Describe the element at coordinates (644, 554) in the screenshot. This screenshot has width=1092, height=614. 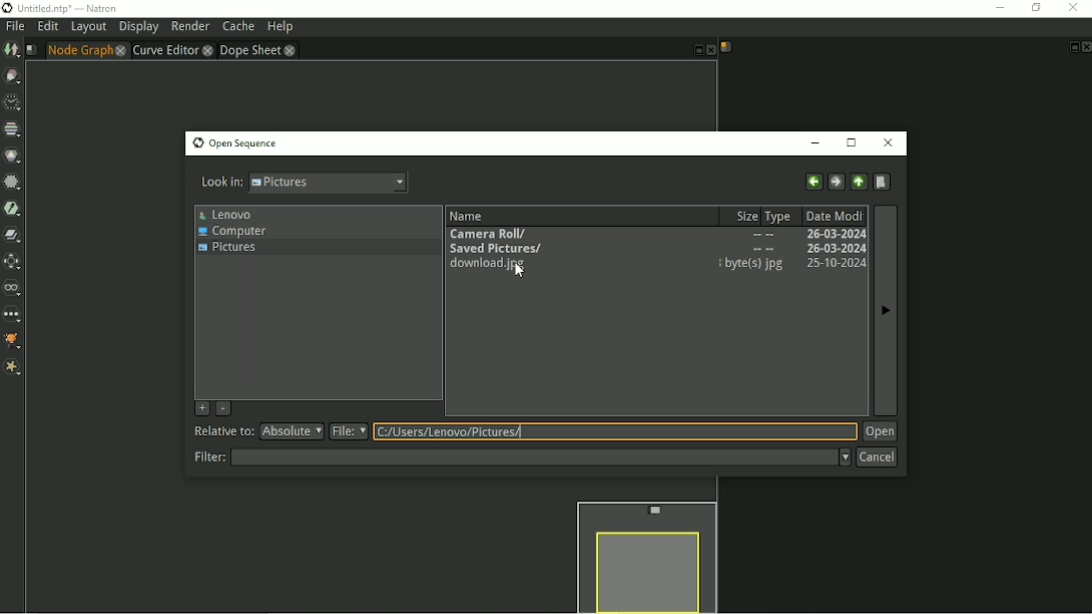
I see `Preview` at that location.